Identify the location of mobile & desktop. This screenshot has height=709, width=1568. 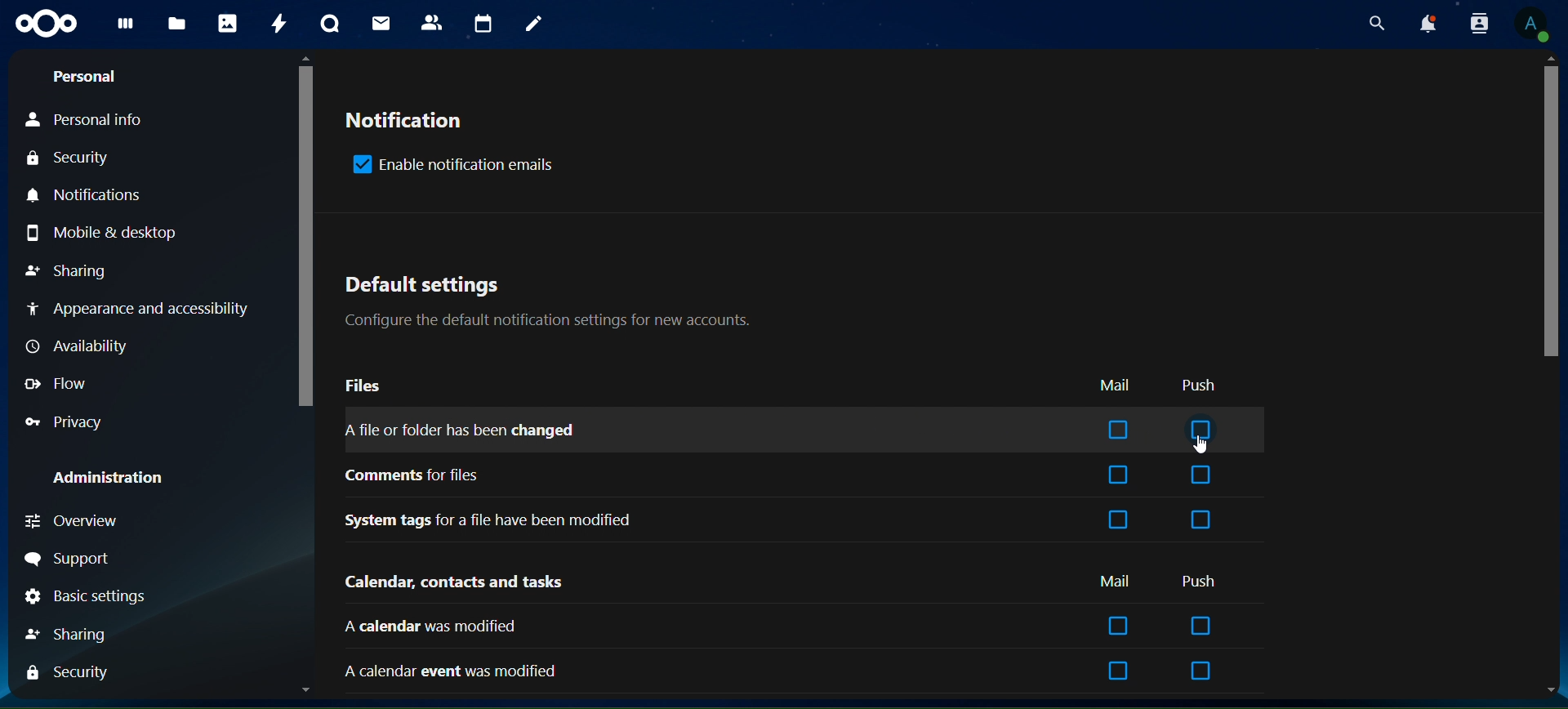
(124, 234).